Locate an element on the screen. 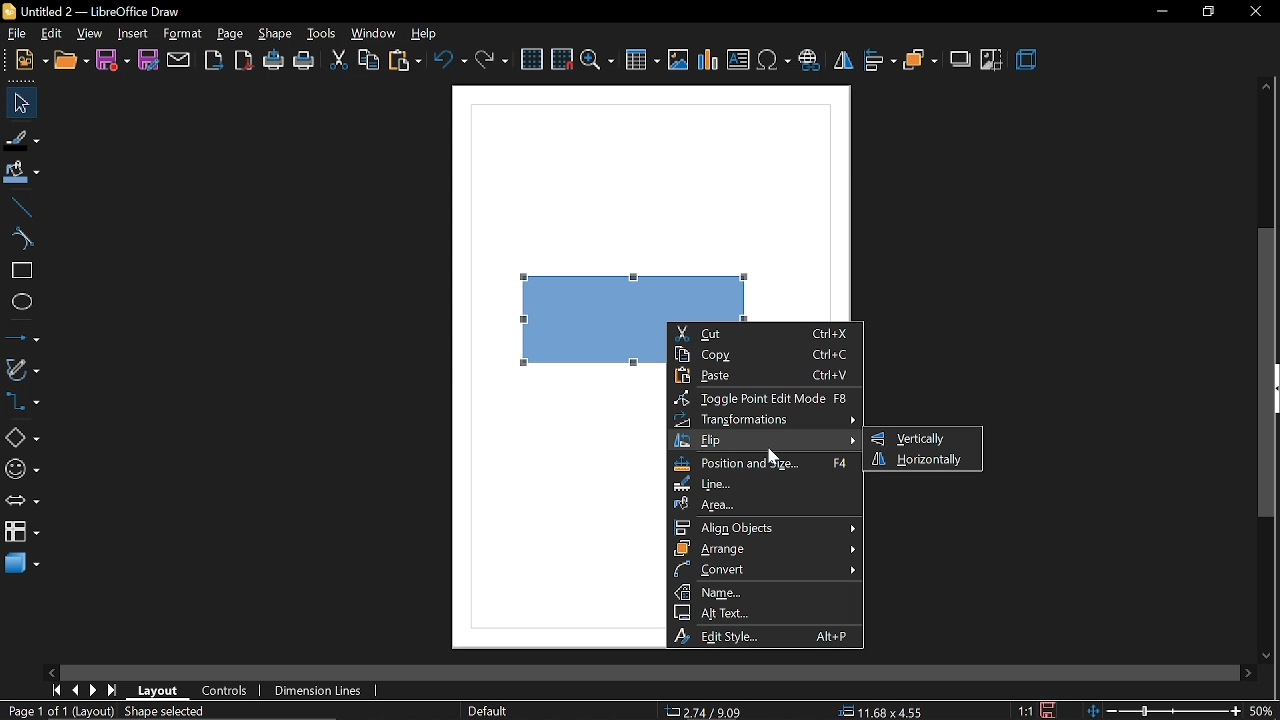 Image resolution: width=1280 pixels, height=720 pixels. move left is located at coordinates (50, 671).